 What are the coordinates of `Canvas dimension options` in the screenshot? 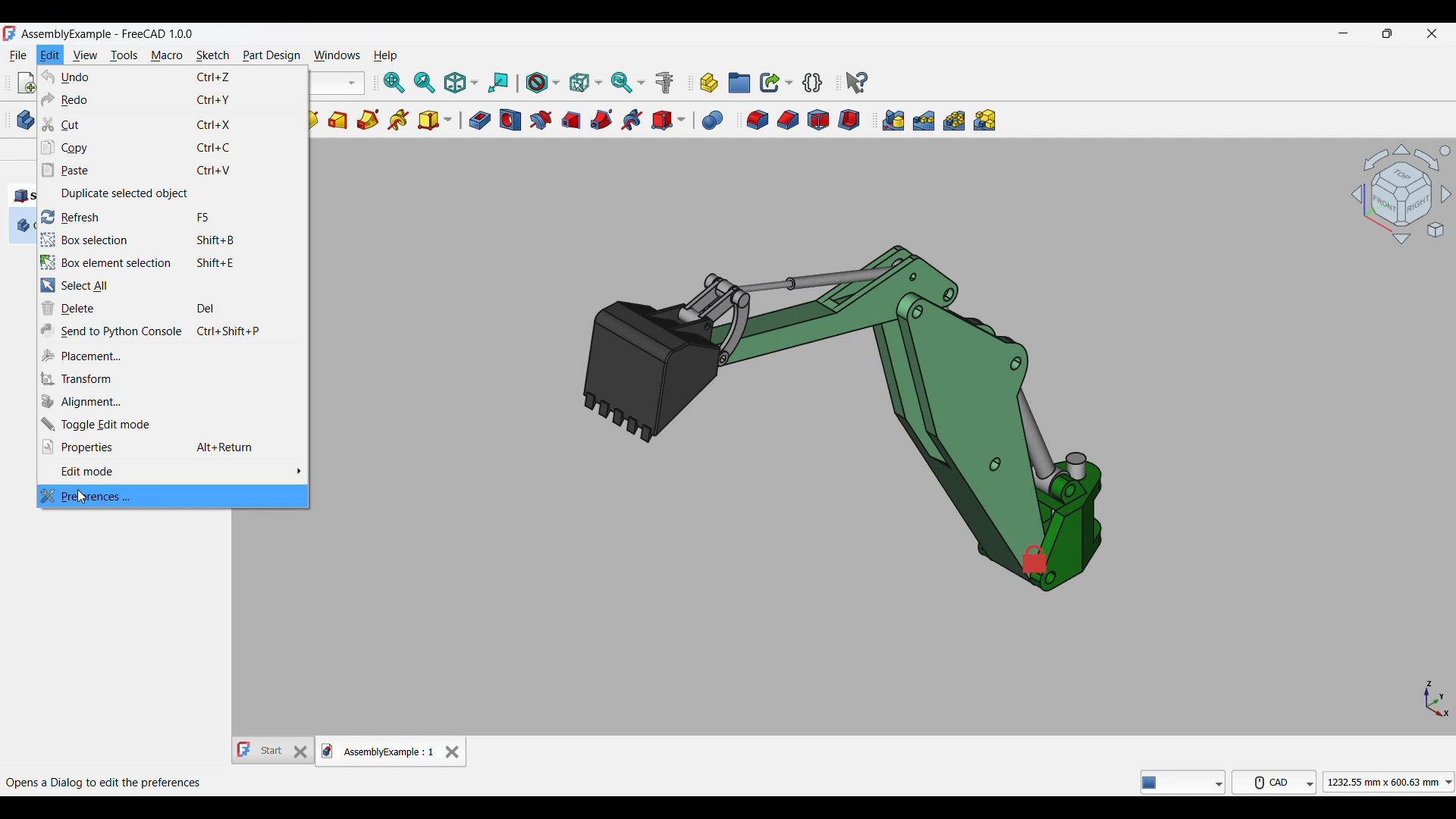 It's located at (1389, 782).